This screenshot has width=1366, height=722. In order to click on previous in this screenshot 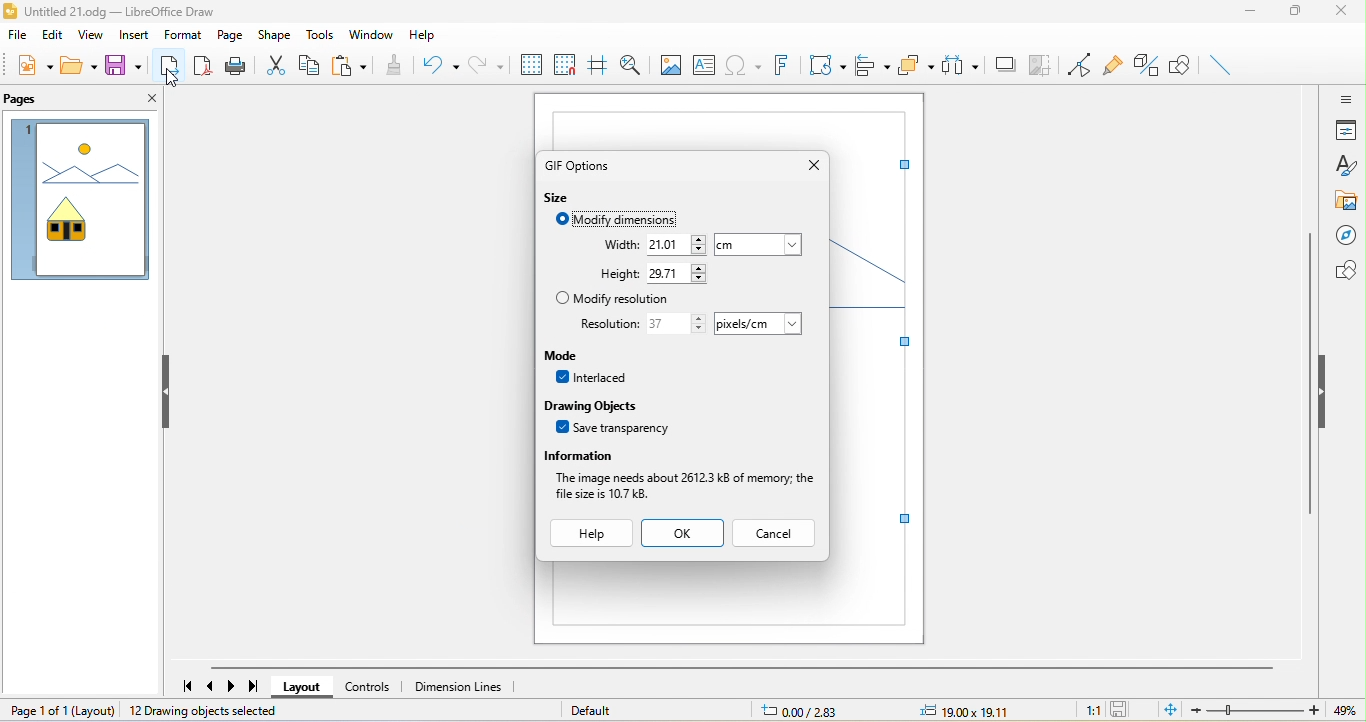, I will do `click(213, 686)`.